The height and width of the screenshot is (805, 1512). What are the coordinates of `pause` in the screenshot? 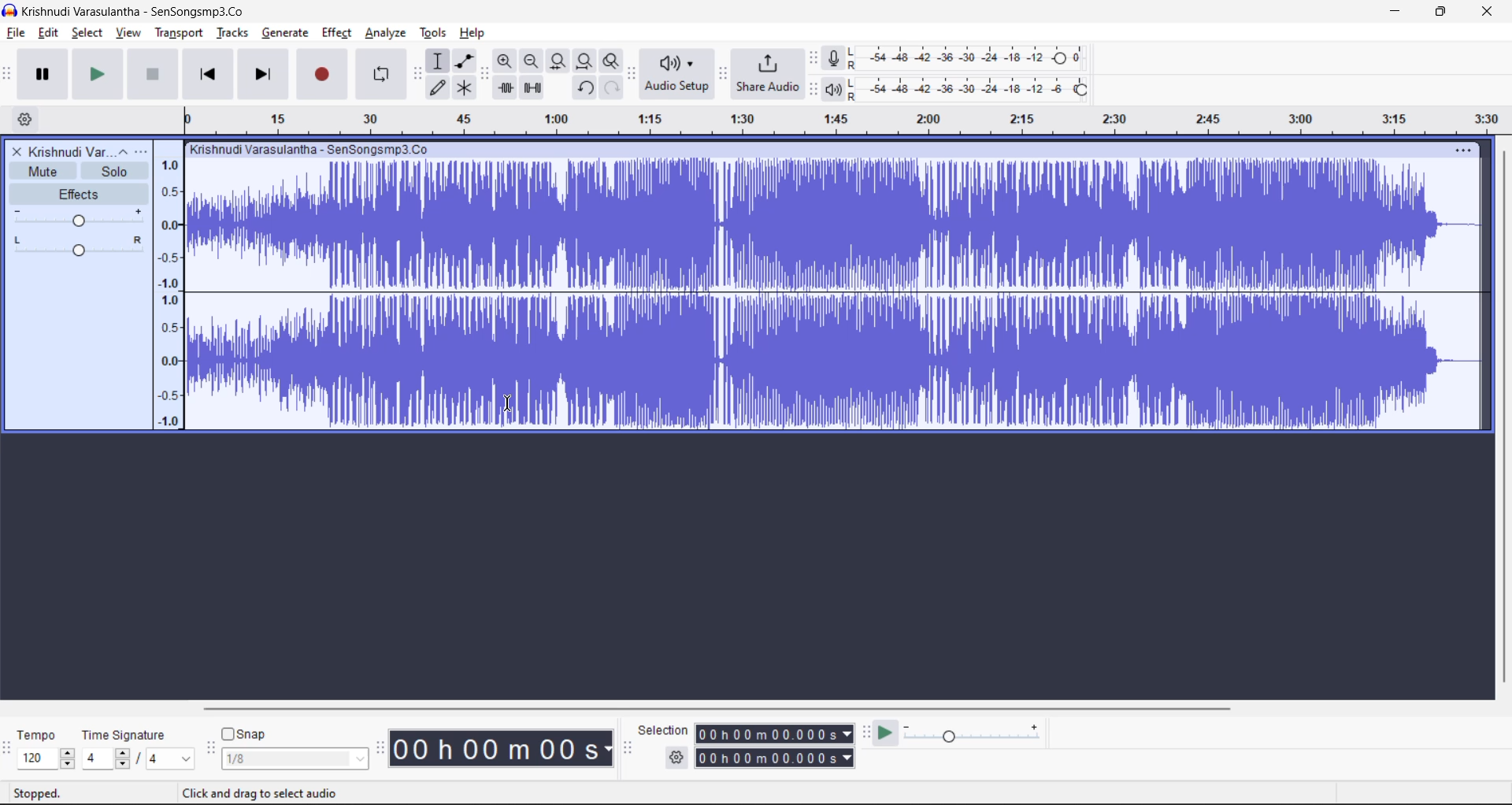 It's located at (46, 74).